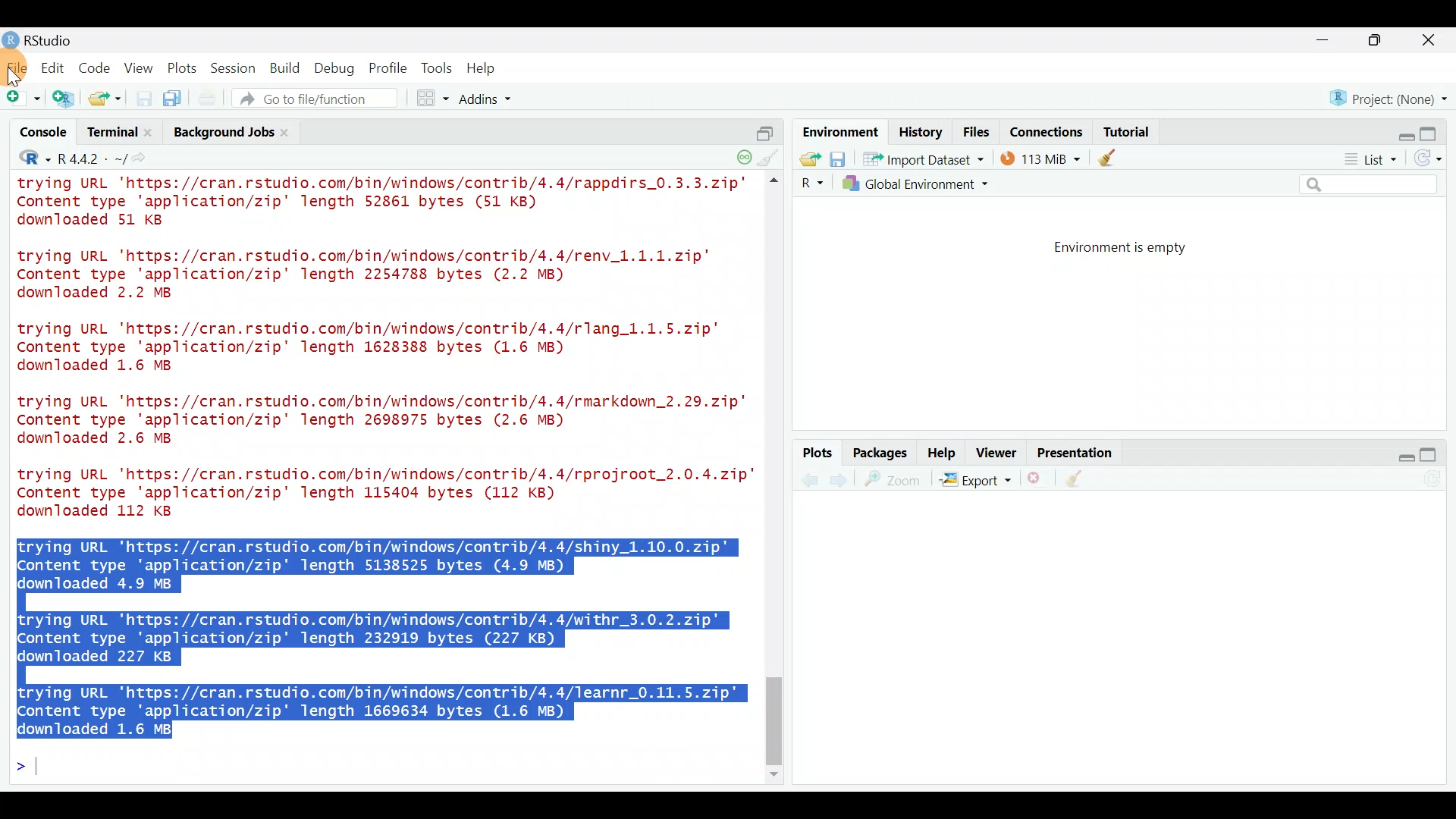 This screenshot has height=819, width=1456. I want to click on Background jobs, so click(221, 132).